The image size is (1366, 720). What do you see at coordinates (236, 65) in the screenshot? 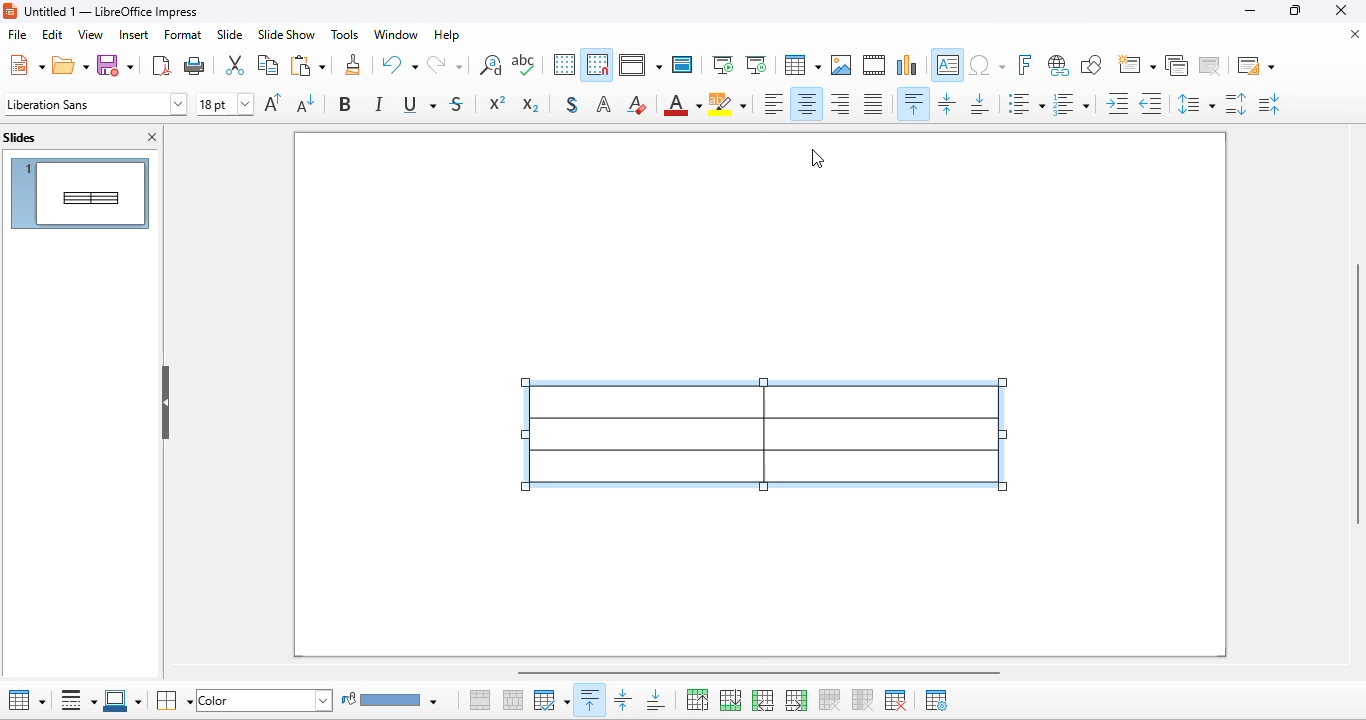
I see `cut` at bounding box center [236, 65].